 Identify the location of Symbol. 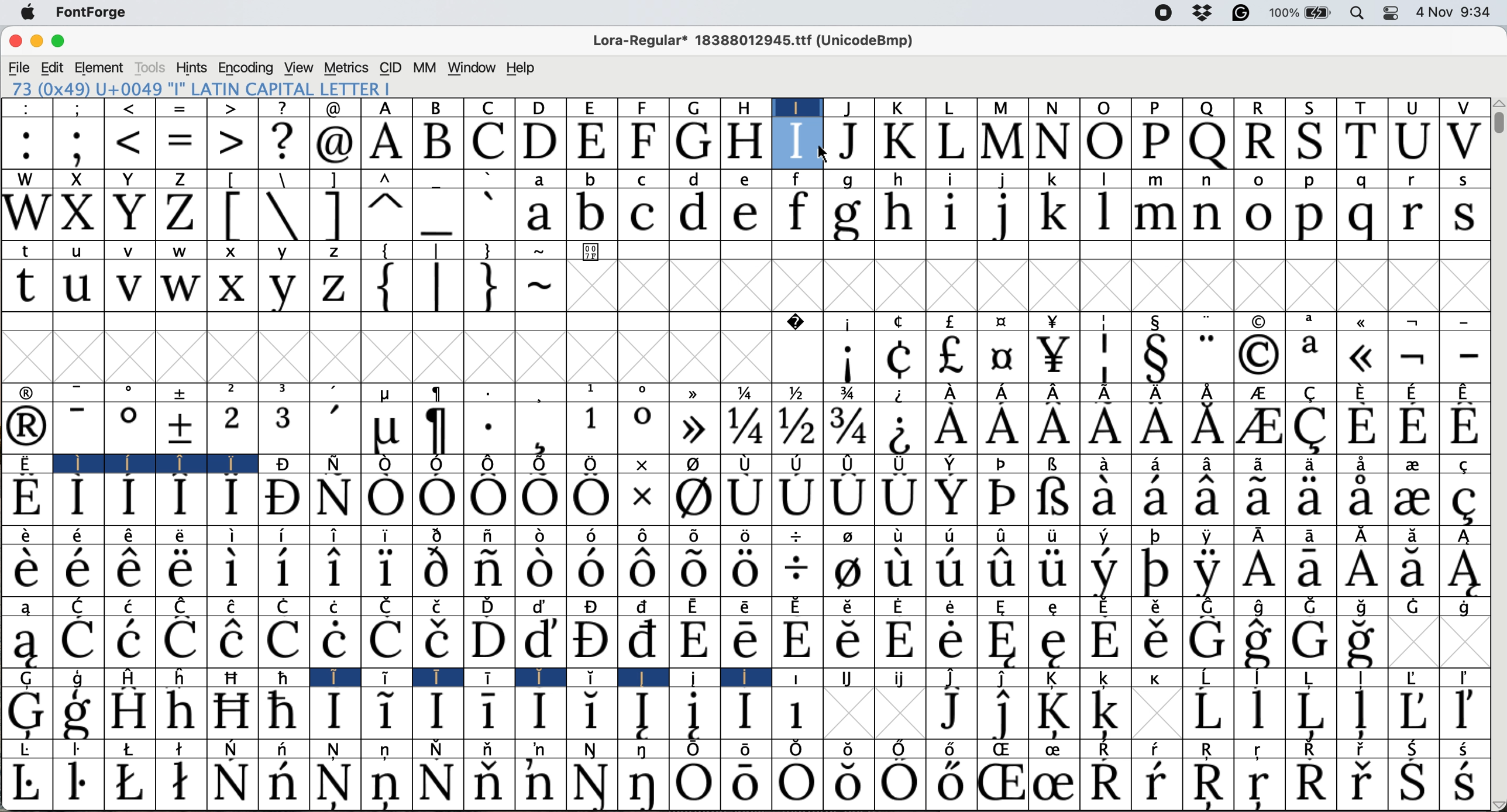
(1054, 607).